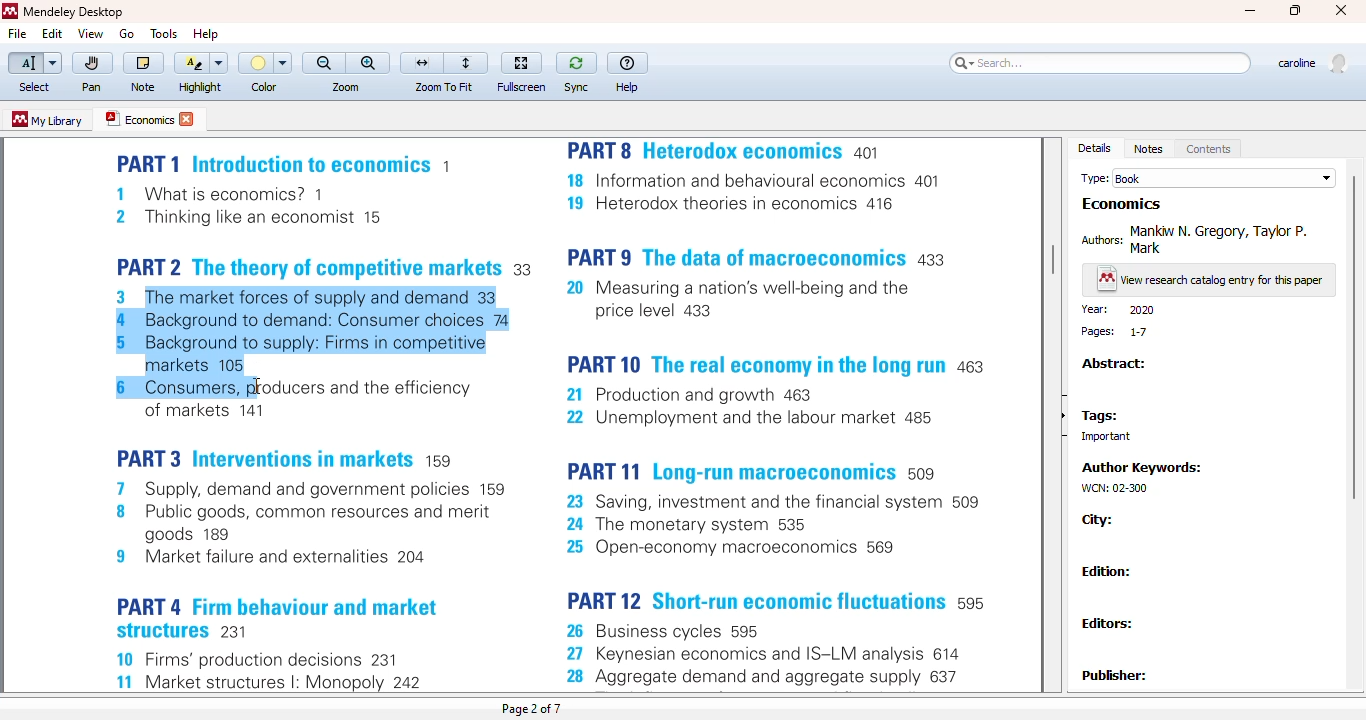 The image size is (1366, 720). Describe the element at coordinates (1251, 11) in the screenshot. I see `minimize` at that location.